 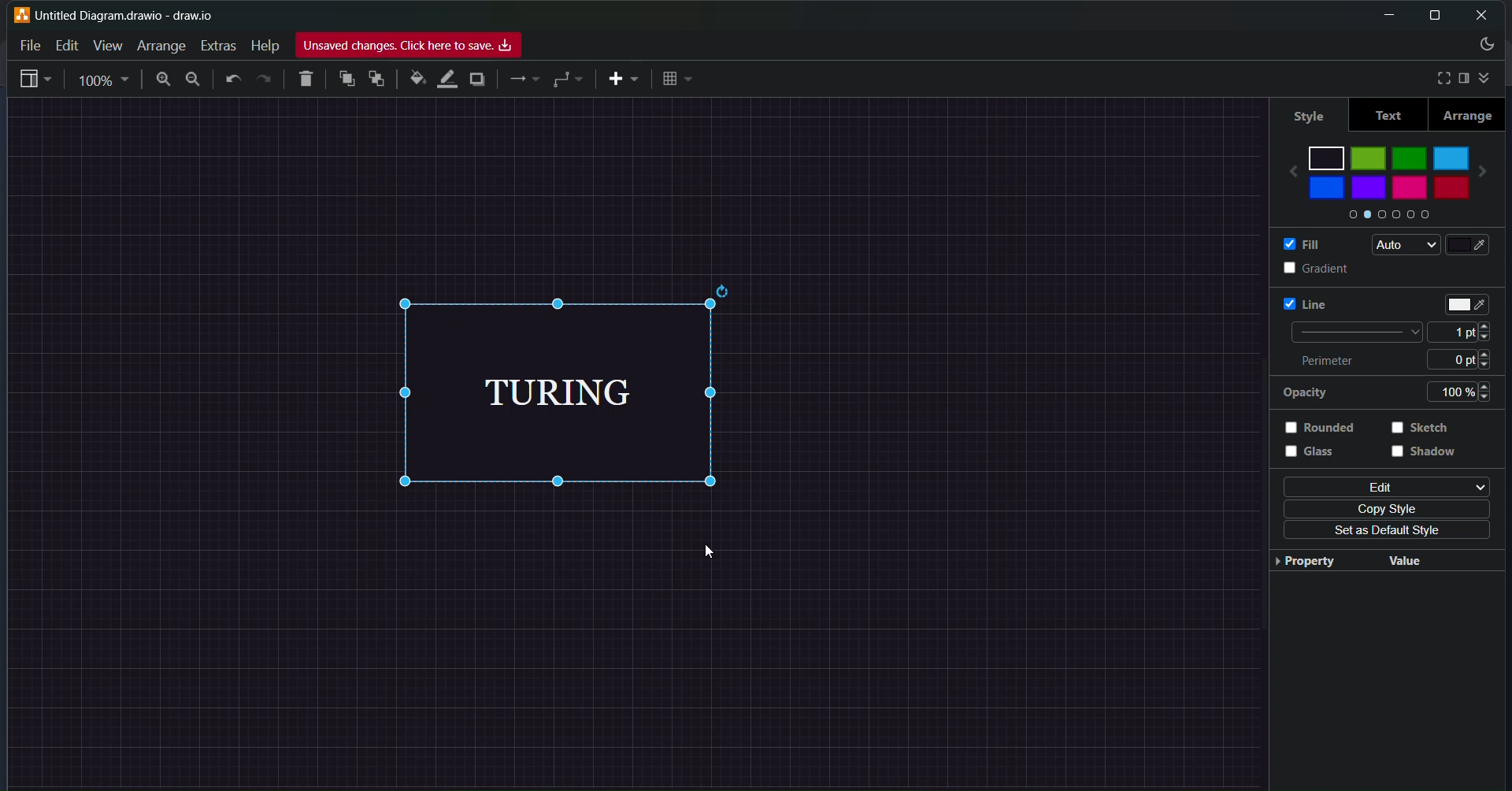 What do you see at coordinates (591, 392) in the screenshot?
I see `TURING` at bounding box center [591, 392].